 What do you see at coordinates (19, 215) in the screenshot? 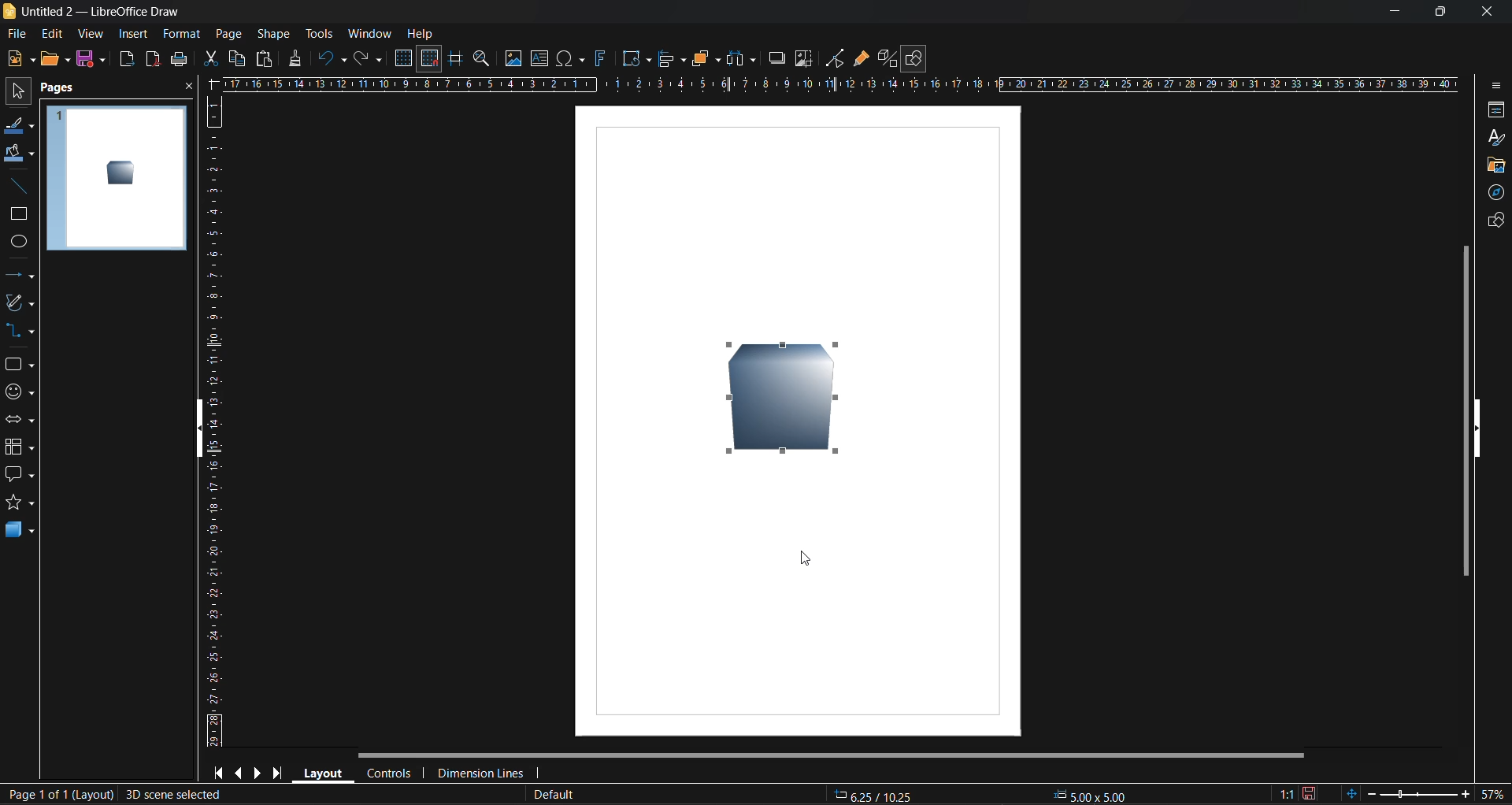
I see `rectangle` at bounding box center [19, 215].